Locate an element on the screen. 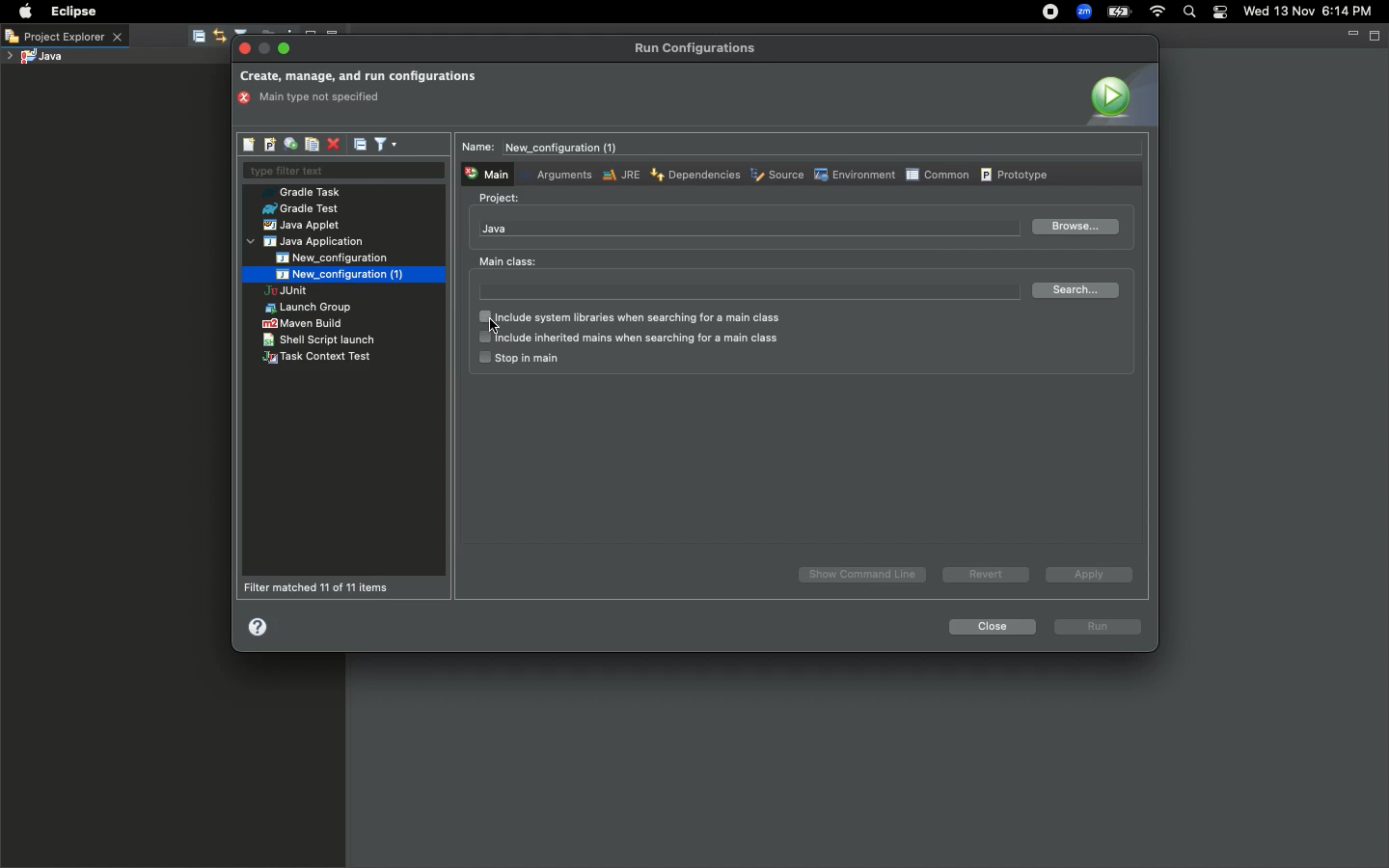 This screenshot has height=868, width=1389. Java is located at coordinates (495, 229).